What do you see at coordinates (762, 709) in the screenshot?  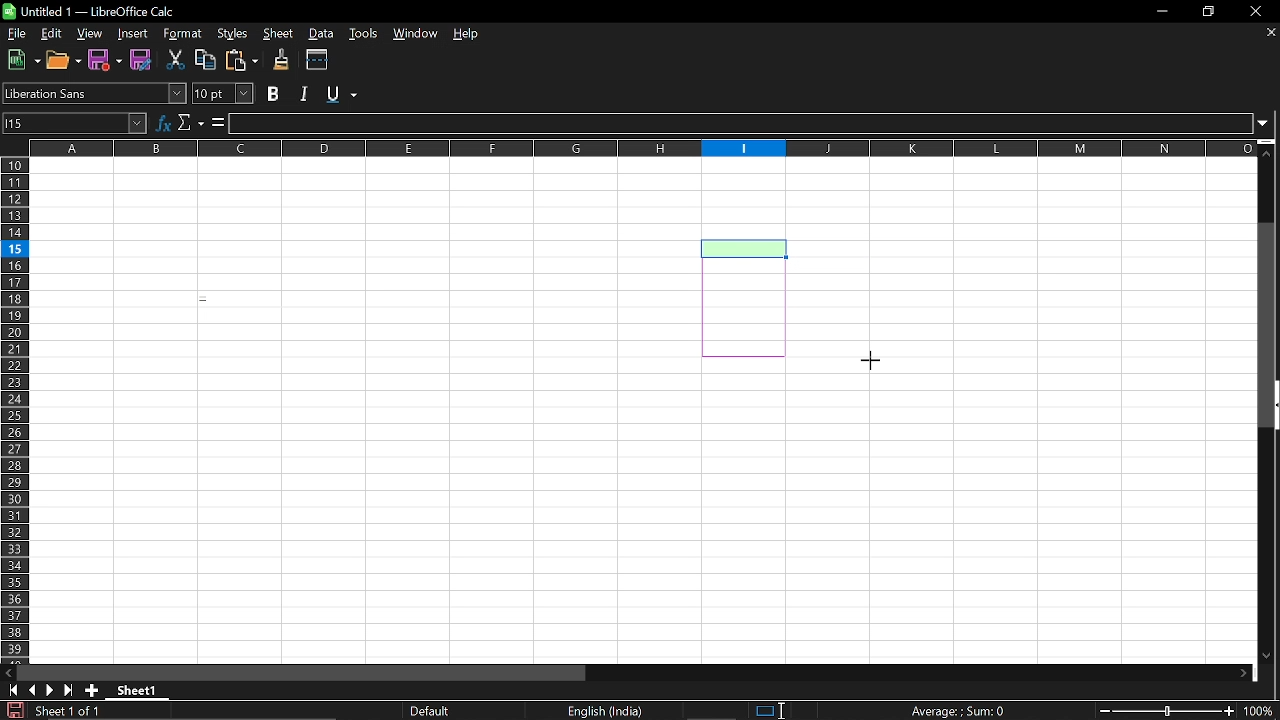 I see `Standard selection` at bounding box center [762, 709].